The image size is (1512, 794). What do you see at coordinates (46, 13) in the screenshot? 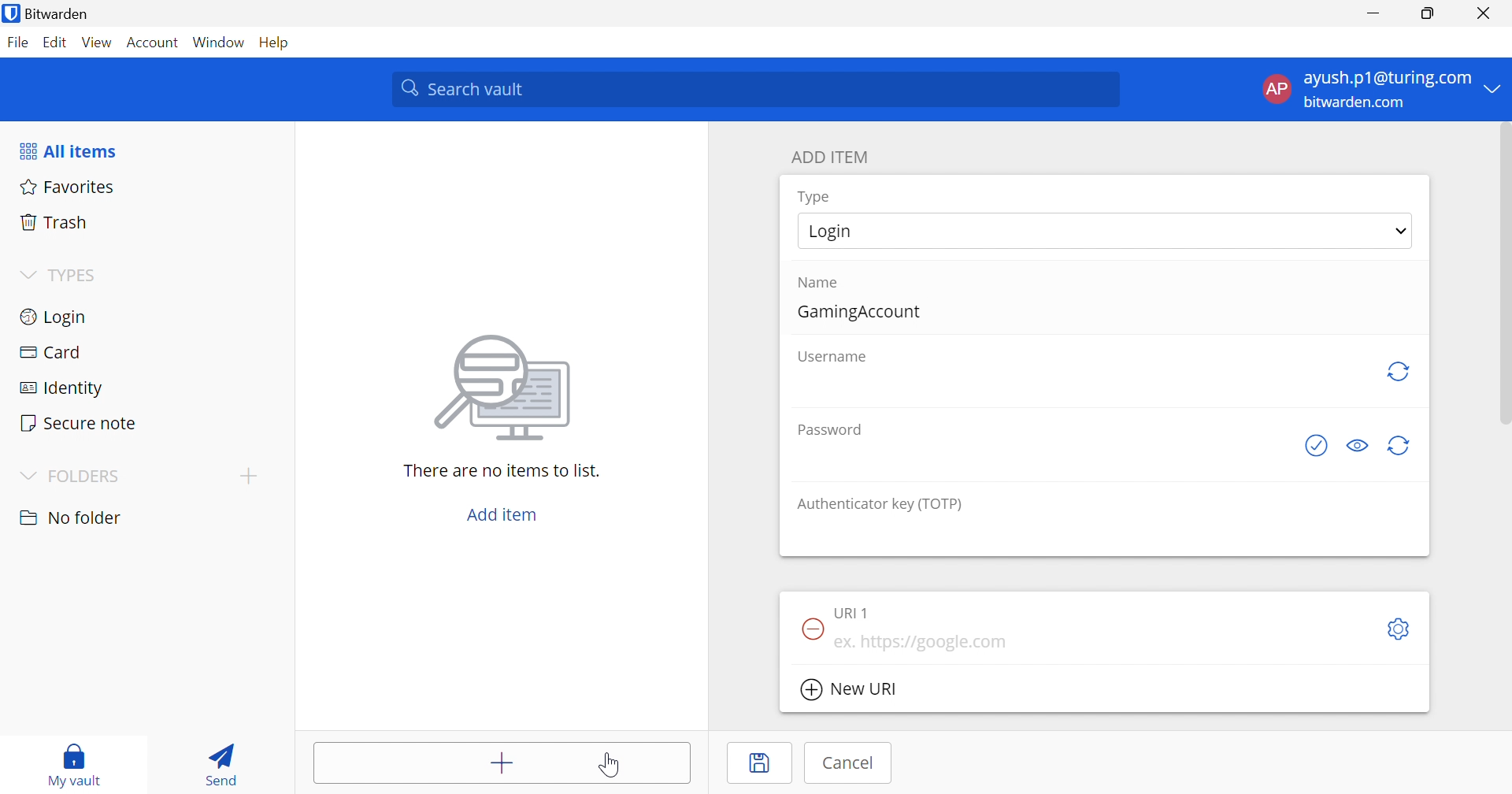
I see `Bitwarden` at bounding box center [46, 13].